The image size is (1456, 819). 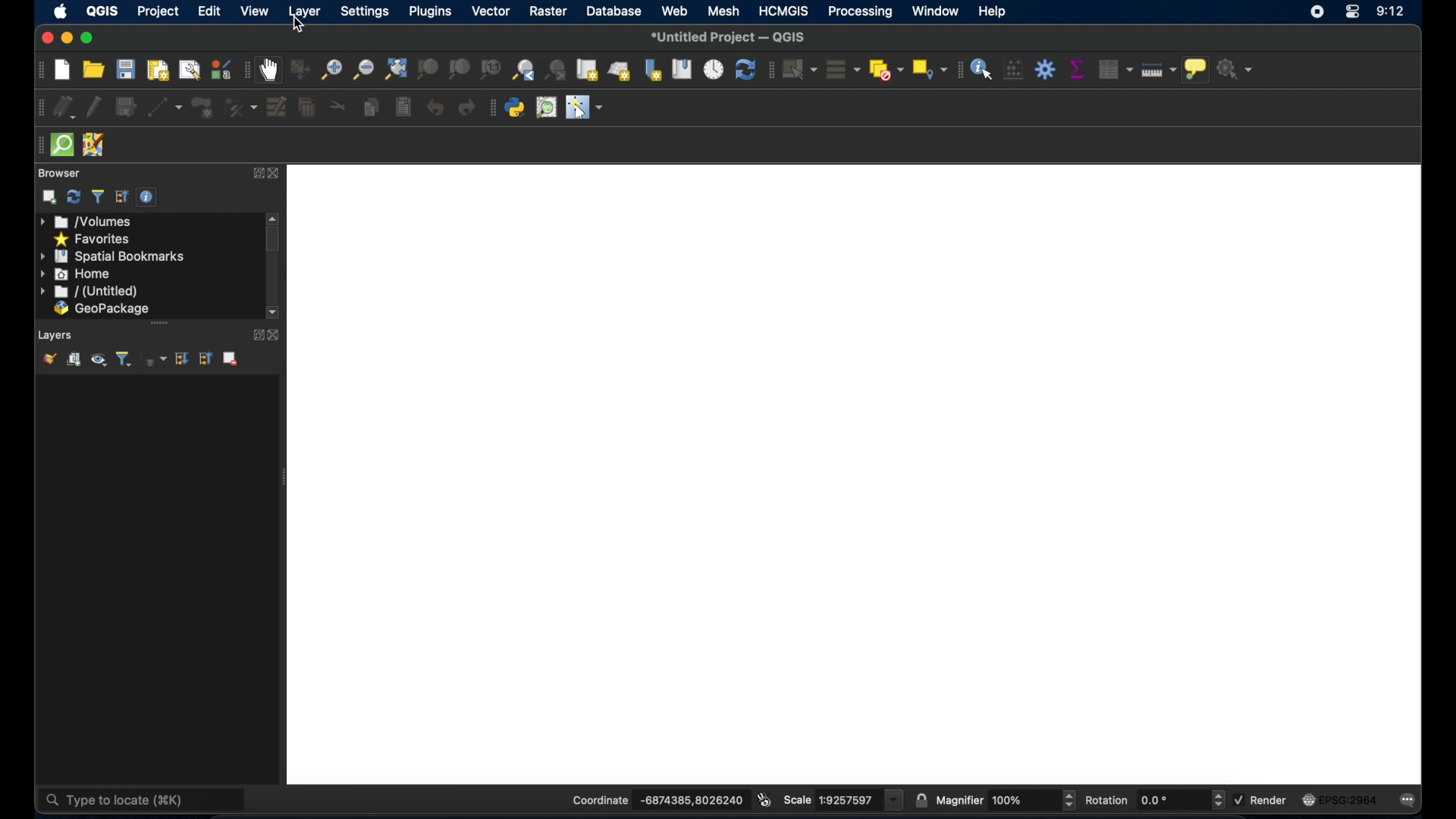 What do you see at coordinates (93, 105) in the screenshot?
I see `toggle editing` at bounding box center [93, 105].